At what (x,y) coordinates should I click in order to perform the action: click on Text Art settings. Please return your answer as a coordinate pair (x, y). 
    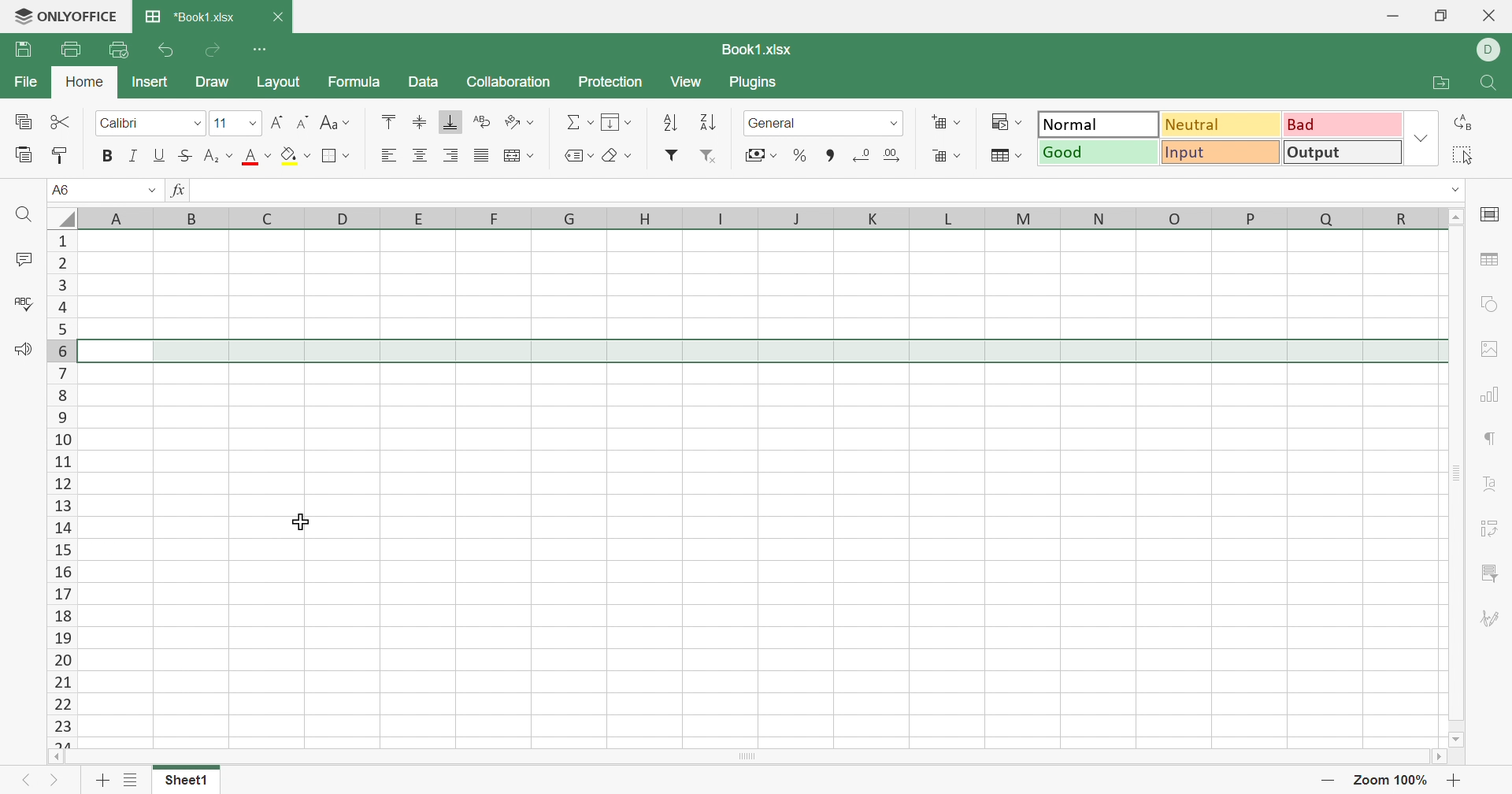
    Looking at the image, I should click on (1490, 486).